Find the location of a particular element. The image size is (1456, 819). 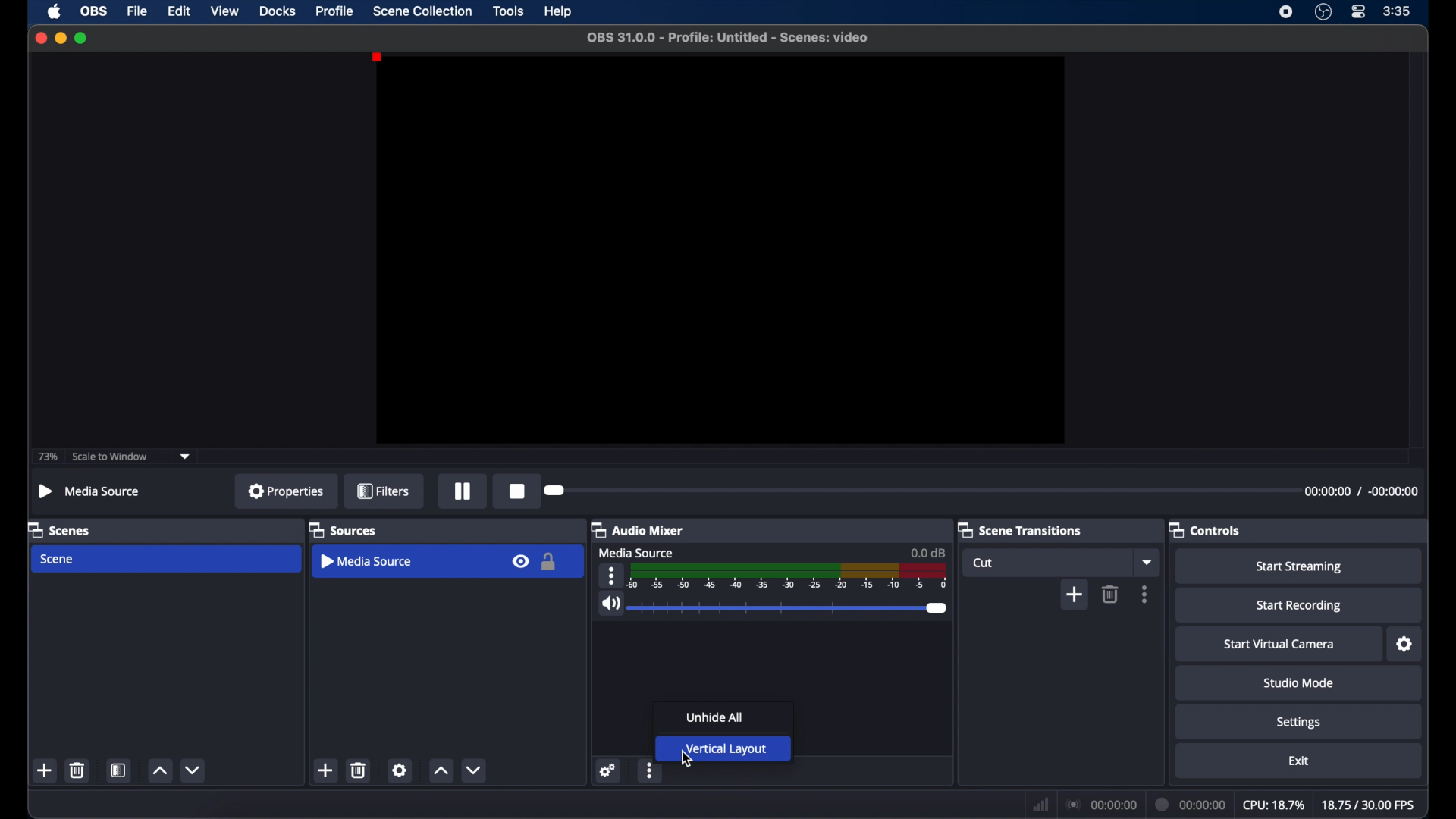

start virtual camera is located at coordinates (1280, 644).